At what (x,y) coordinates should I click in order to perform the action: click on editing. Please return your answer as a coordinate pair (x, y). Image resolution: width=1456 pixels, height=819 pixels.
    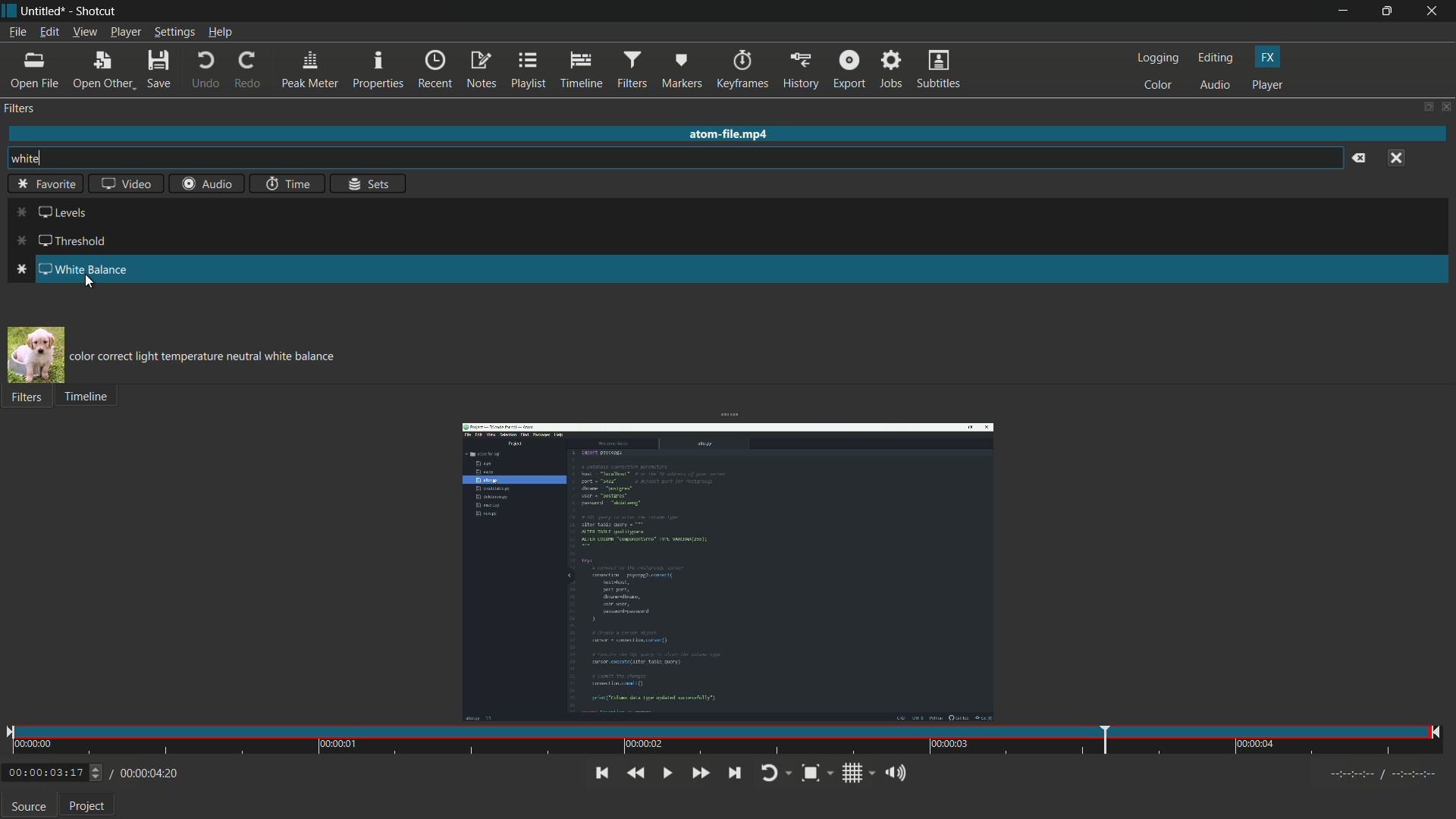
    Looking at the image, I should click on (1216, 59).